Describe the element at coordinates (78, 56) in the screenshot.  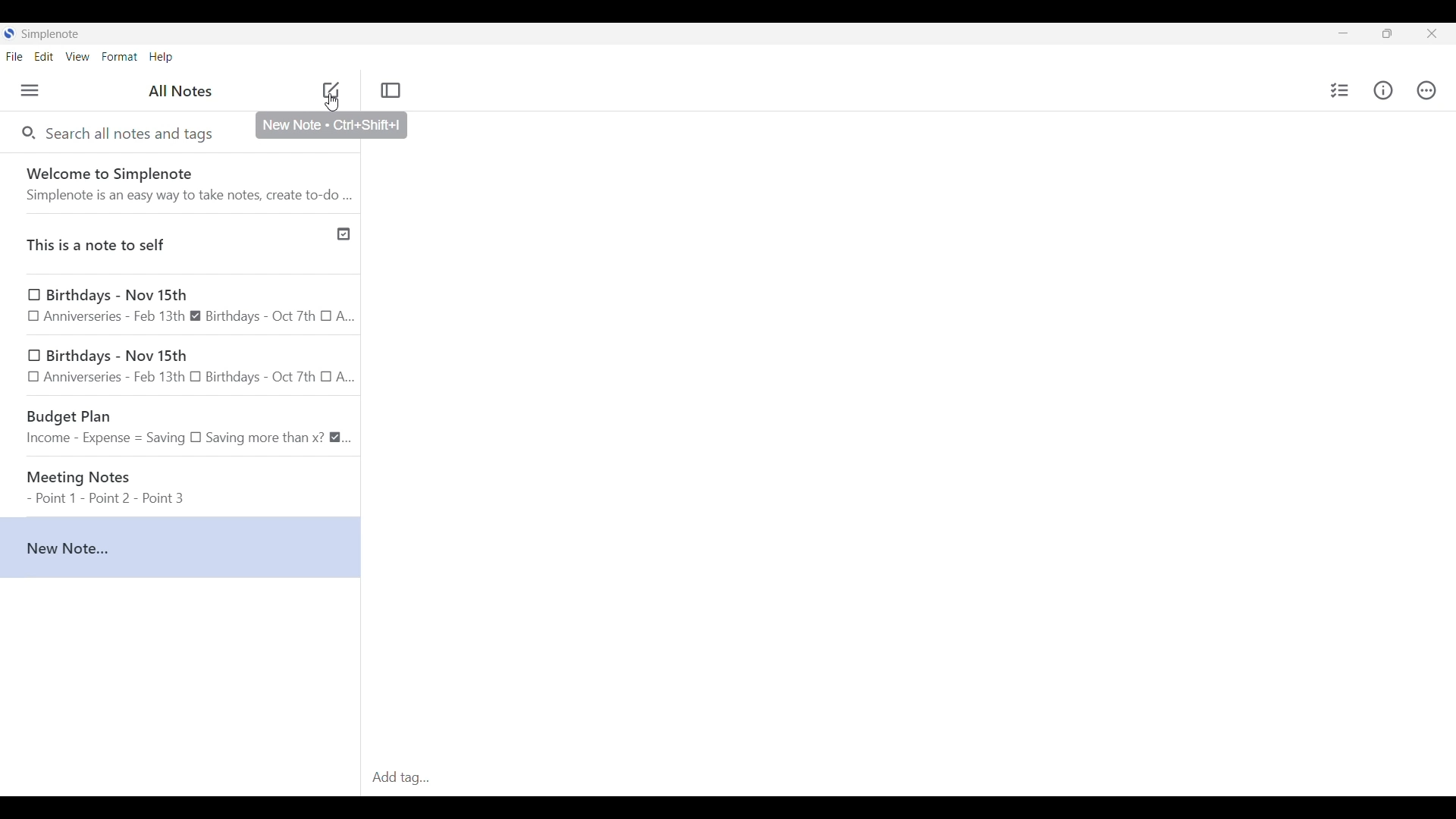
I see `View menu` at that location.